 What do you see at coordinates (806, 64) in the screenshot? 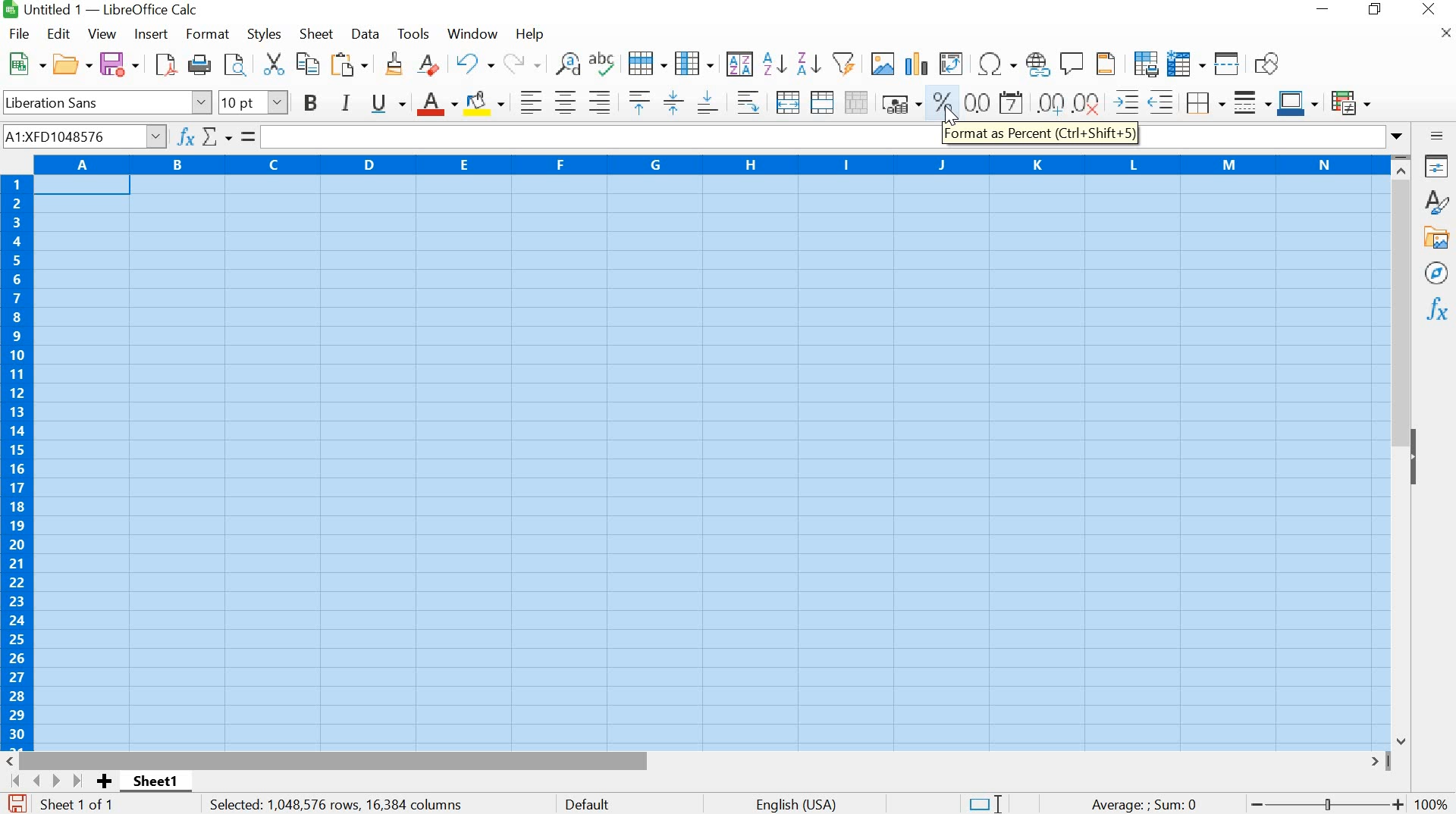
I see `Sort Descending` at bounding box center [806, 64].